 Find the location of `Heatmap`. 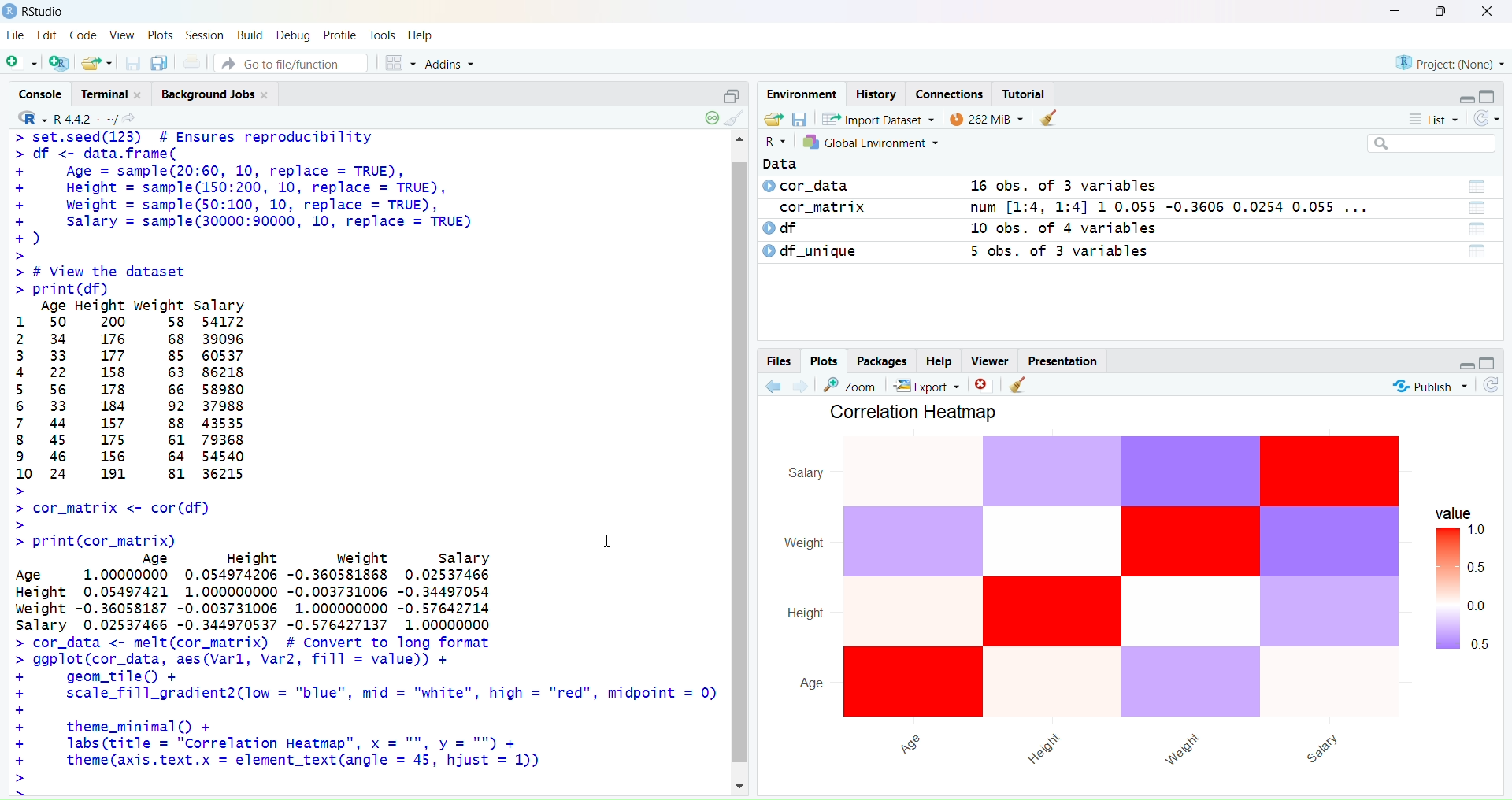

Heatmap is located at coordinates (1124, 577).